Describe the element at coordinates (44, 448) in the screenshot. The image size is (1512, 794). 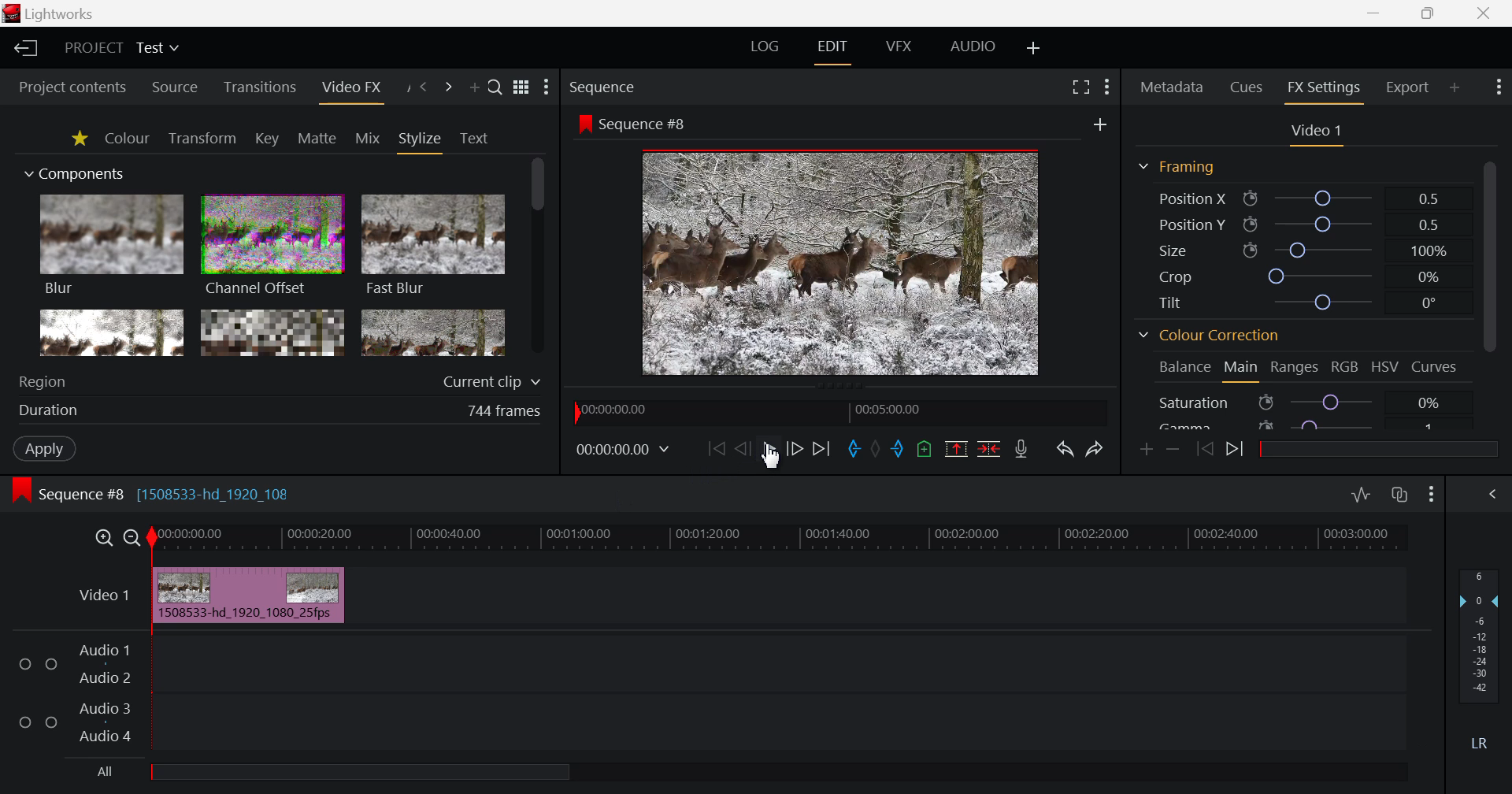
I see `Apply` at that location.